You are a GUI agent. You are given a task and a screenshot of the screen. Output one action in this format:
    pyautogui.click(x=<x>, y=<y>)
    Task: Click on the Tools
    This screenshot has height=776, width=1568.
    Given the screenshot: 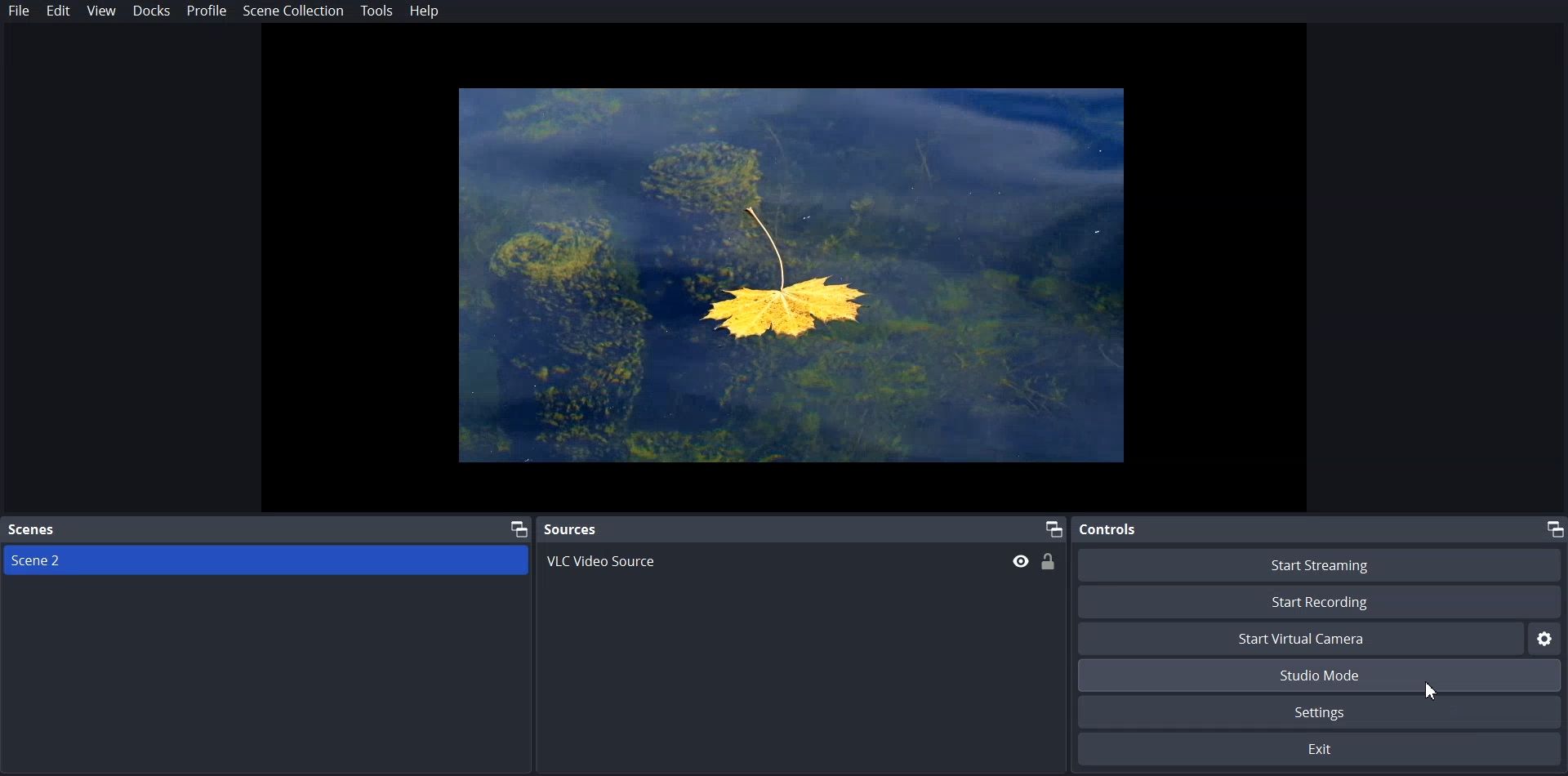 What is the action you would take?
    pyautogui.click(x=376, y=11)
    